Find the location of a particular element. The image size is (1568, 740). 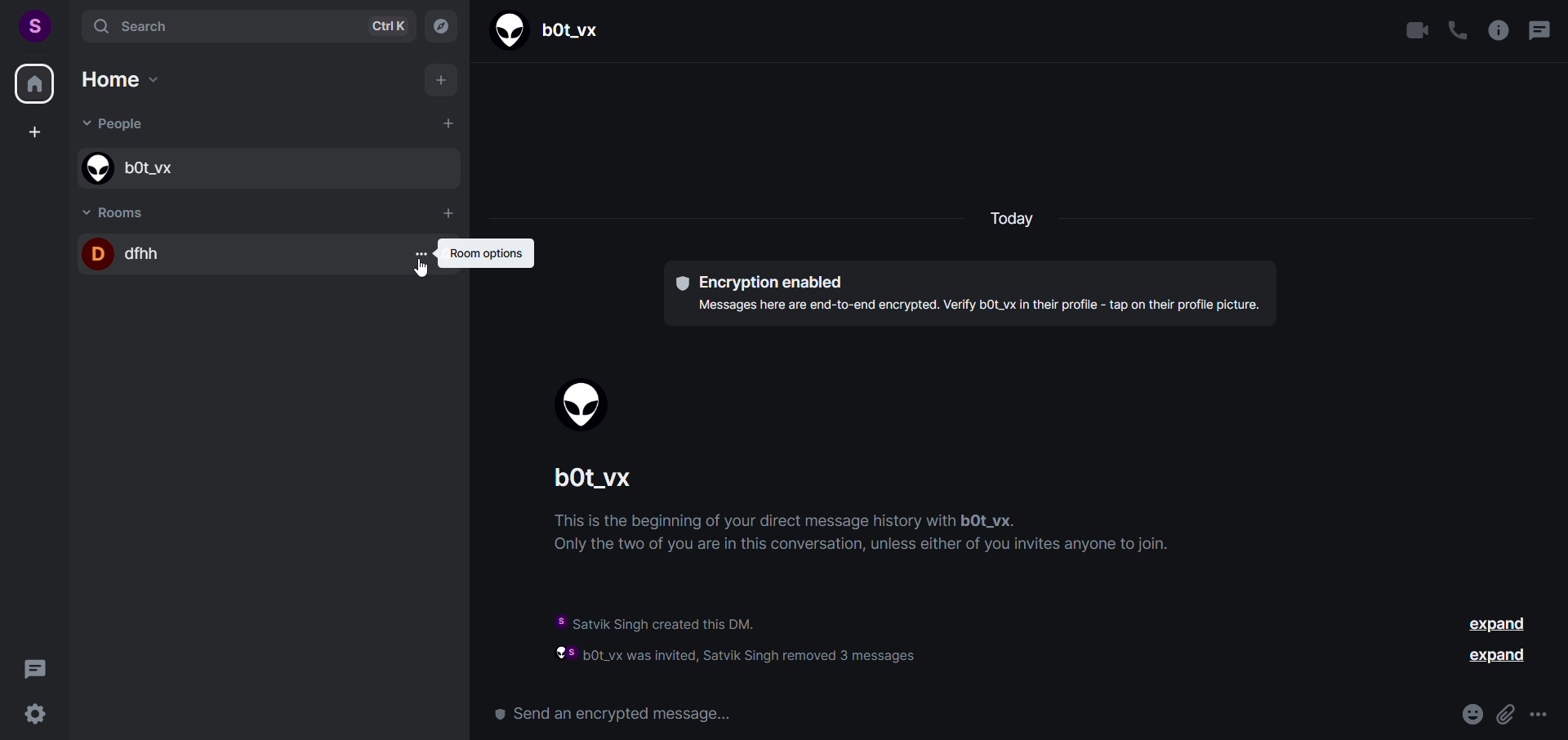

people name is located at coordinates (263, 168).